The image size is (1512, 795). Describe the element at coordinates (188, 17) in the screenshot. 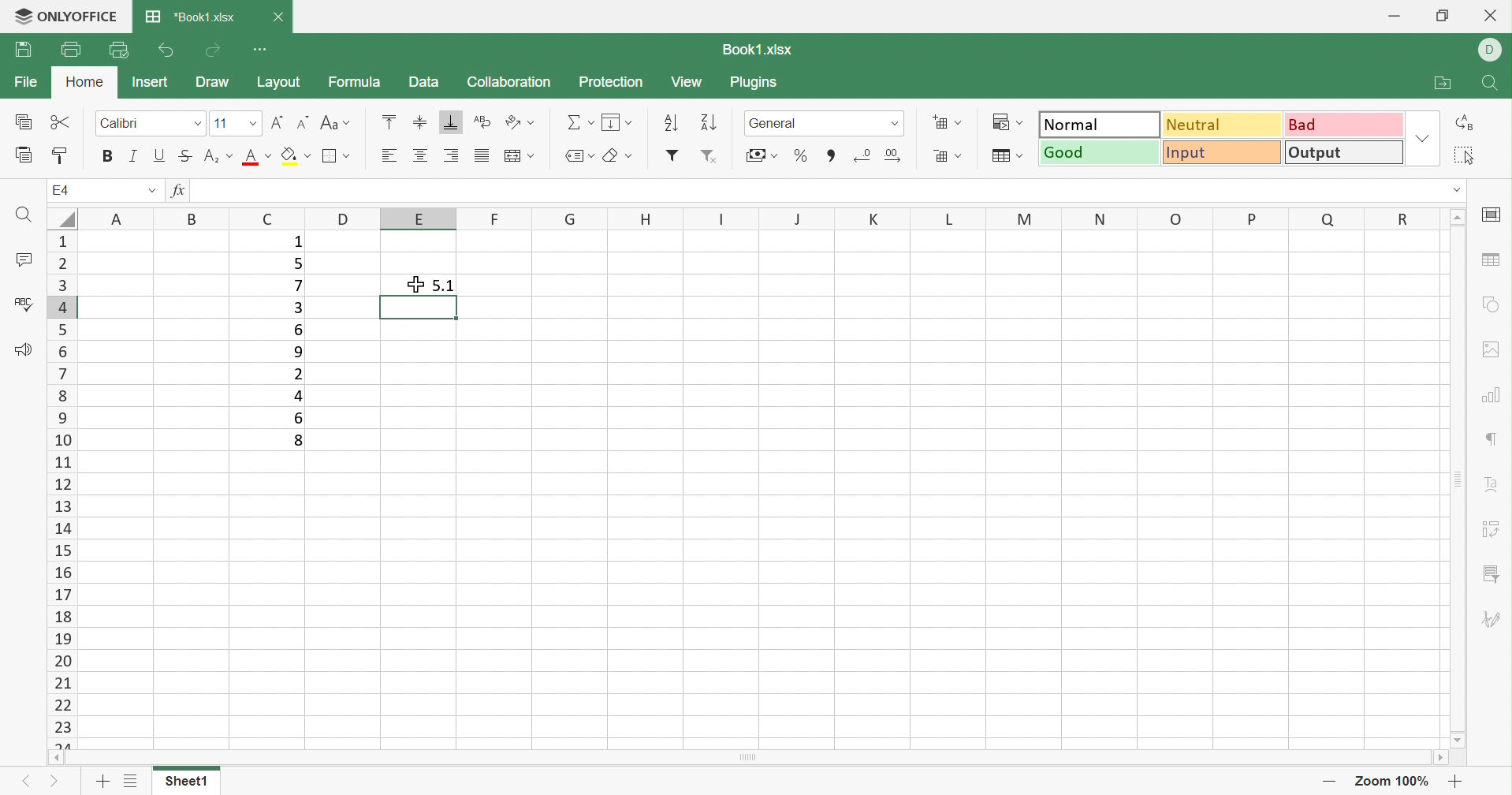

I see `*Book1.xlsx` at that location.